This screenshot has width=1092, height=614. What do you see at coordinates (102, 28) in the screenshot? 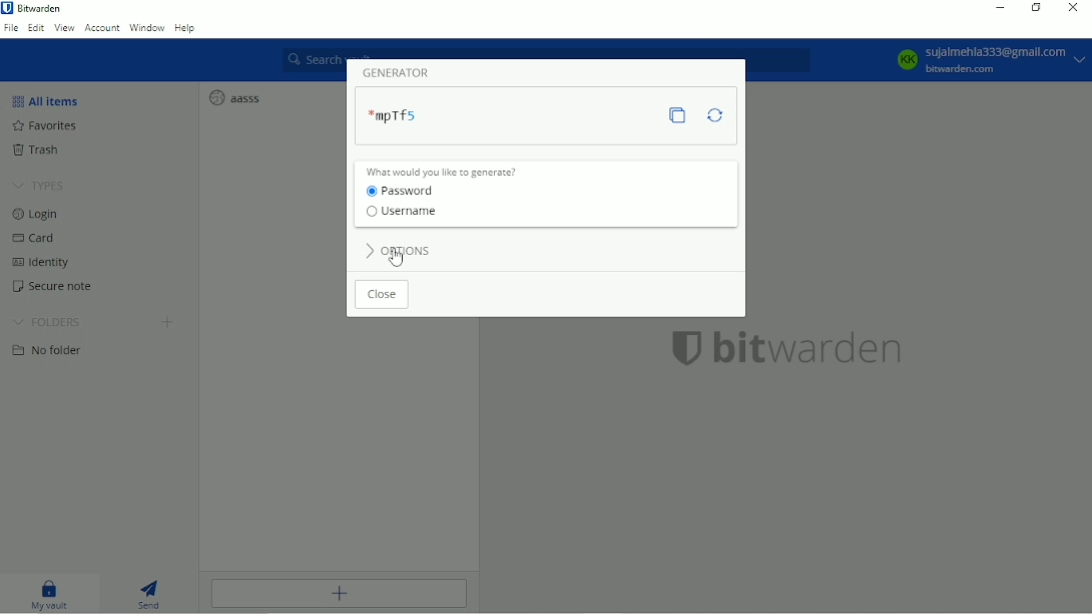
I see `Account` at bounding box center [102, 28].